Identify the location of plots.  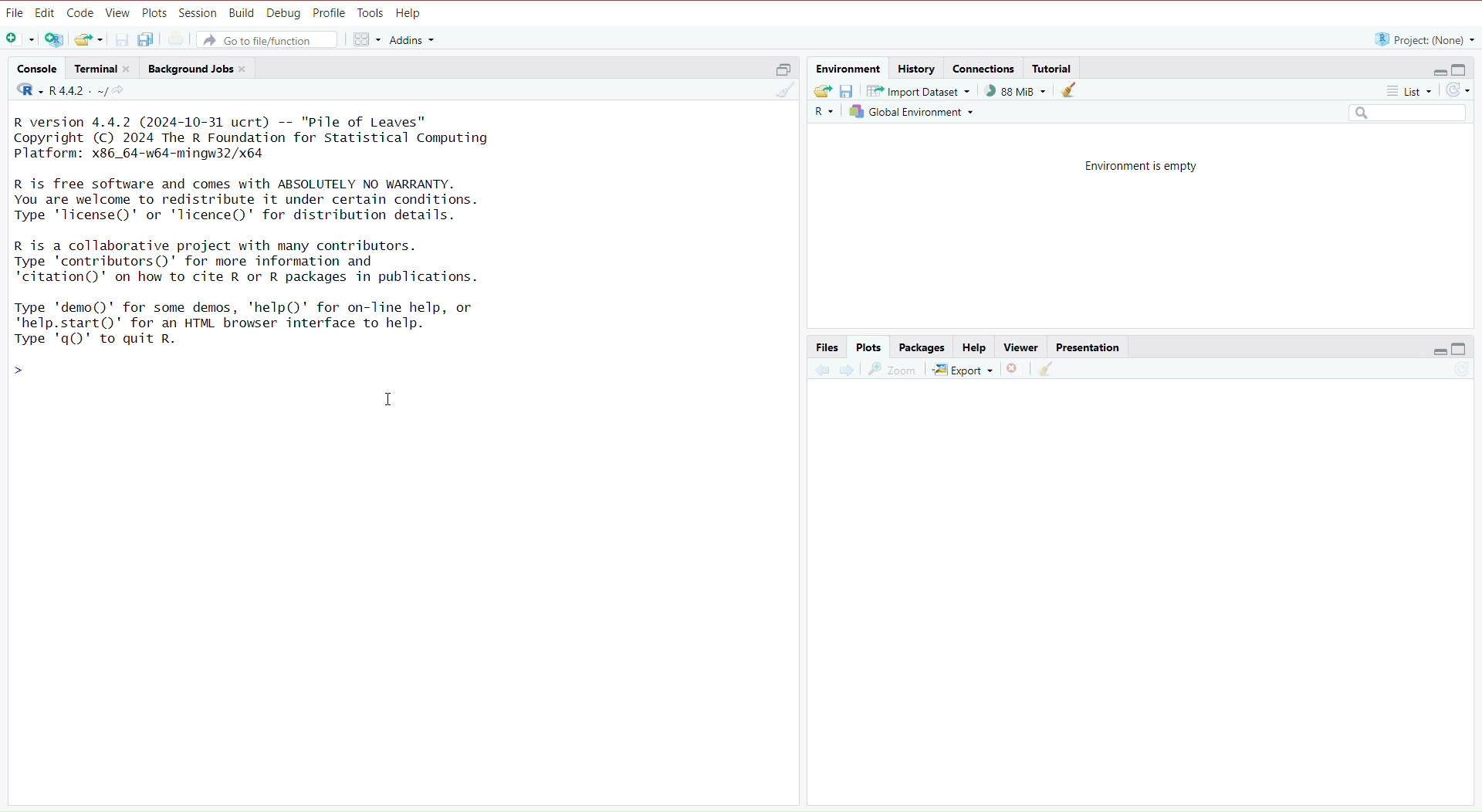
(154, 12).